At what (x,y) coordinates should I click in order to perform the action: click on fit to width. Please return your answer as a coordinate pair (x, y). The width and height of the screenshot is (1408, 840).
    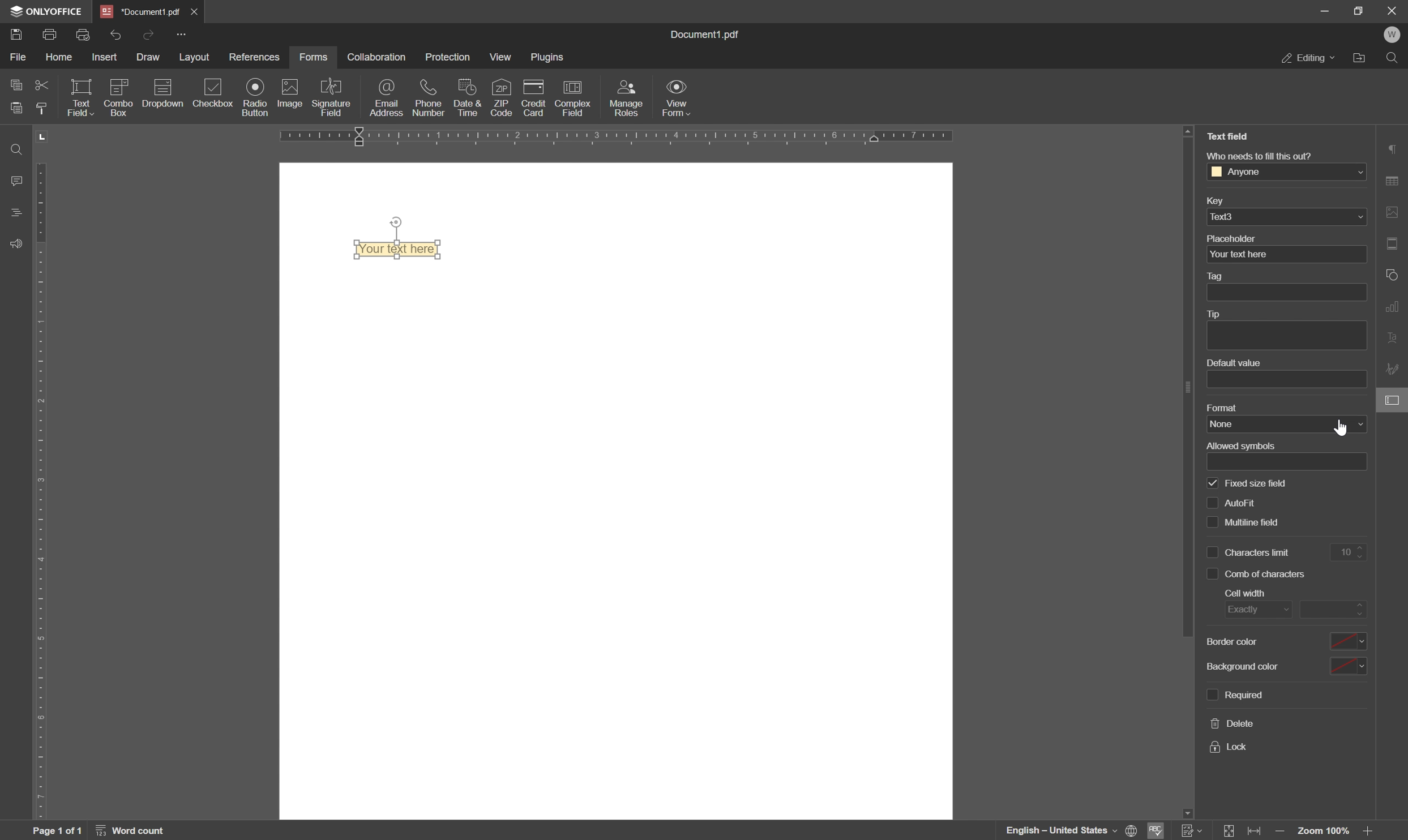
    Looking at the image, I should click on (1257, 832).